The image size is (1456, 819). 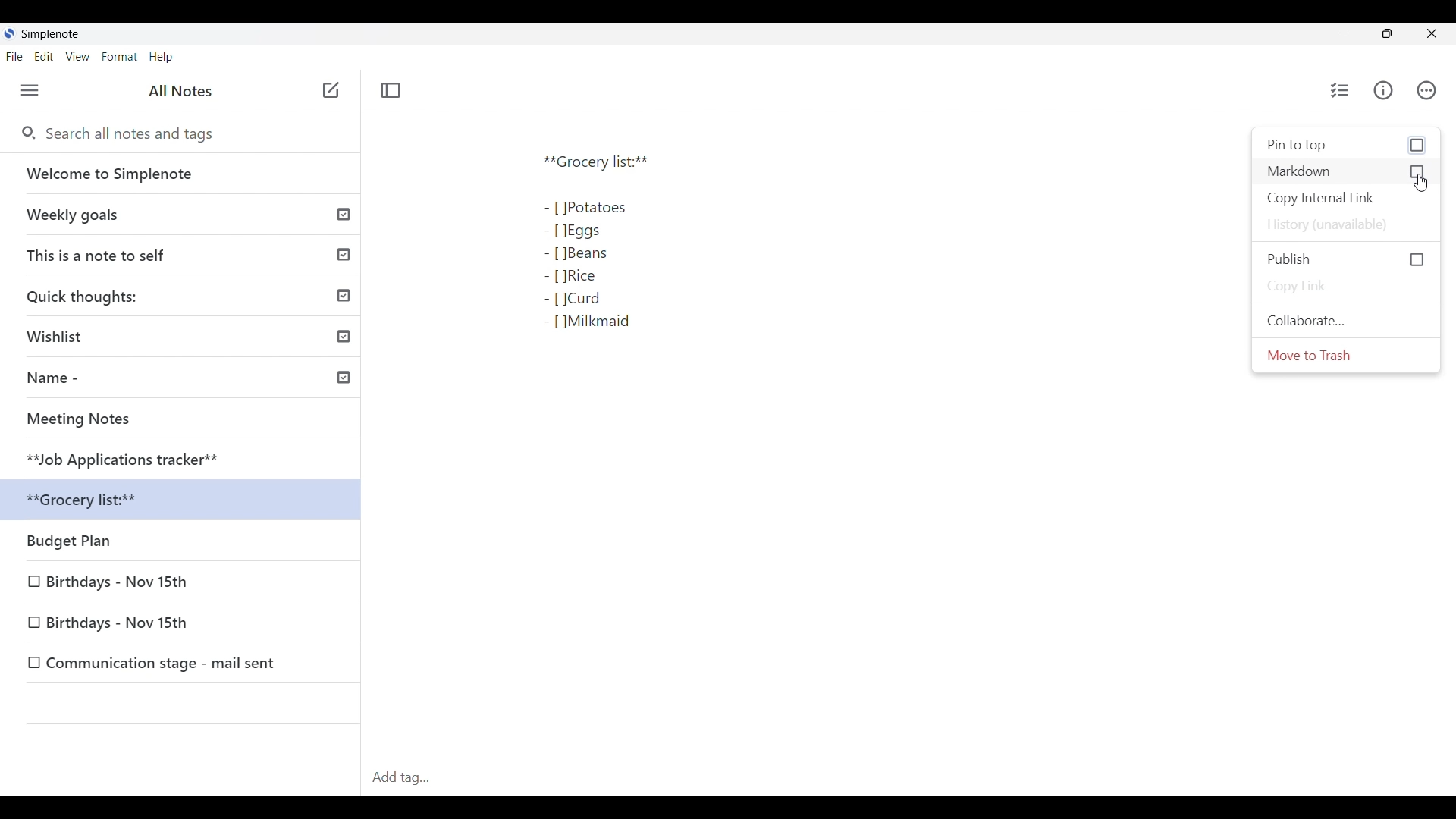 I want to click on Resize, so click(x=1385, y=36).